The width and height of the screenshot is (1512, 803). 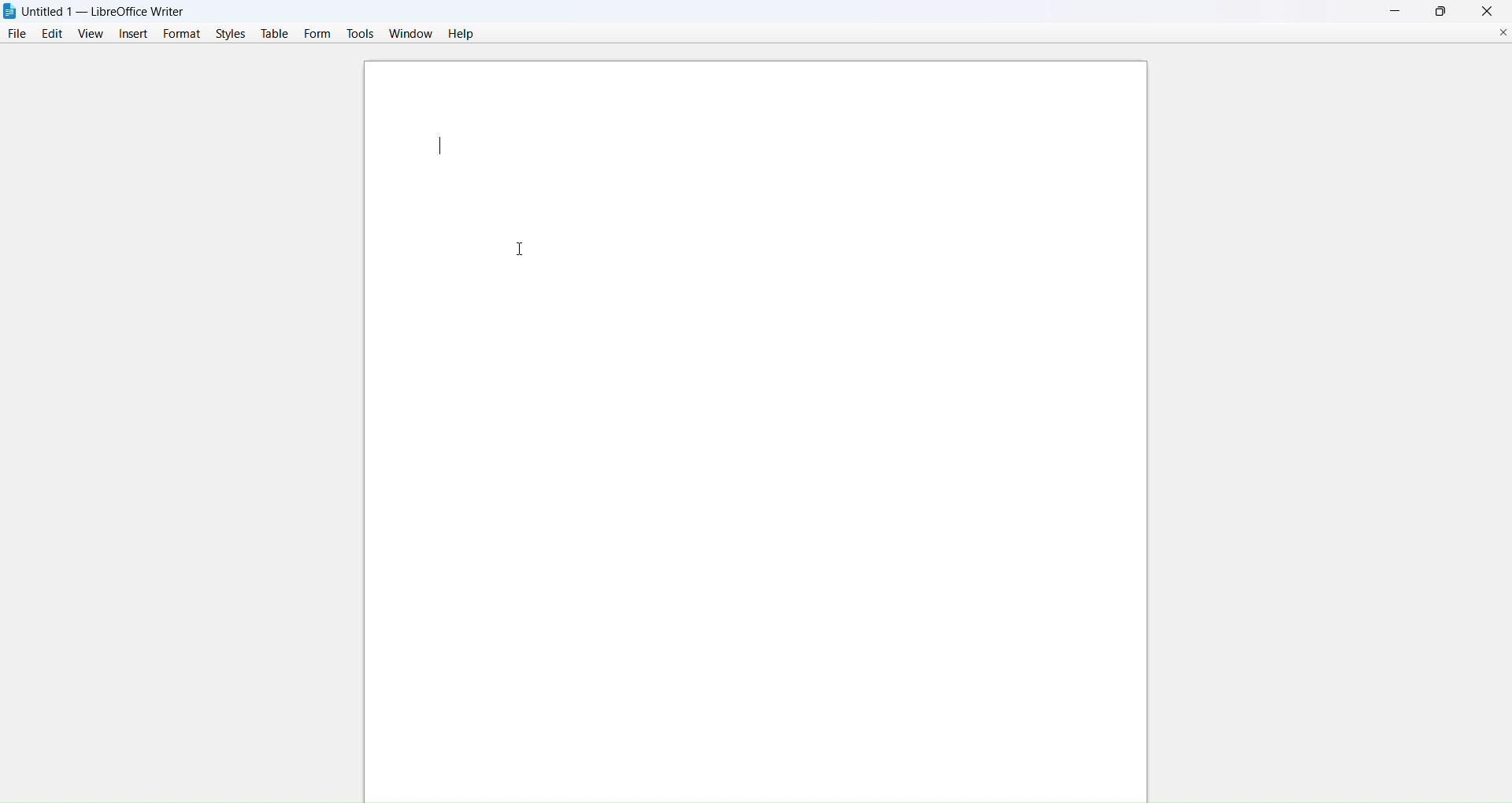 What do you see at coordinates (233, 34) in the screenshot?
I see `styles` at bounding box center [233, 34].